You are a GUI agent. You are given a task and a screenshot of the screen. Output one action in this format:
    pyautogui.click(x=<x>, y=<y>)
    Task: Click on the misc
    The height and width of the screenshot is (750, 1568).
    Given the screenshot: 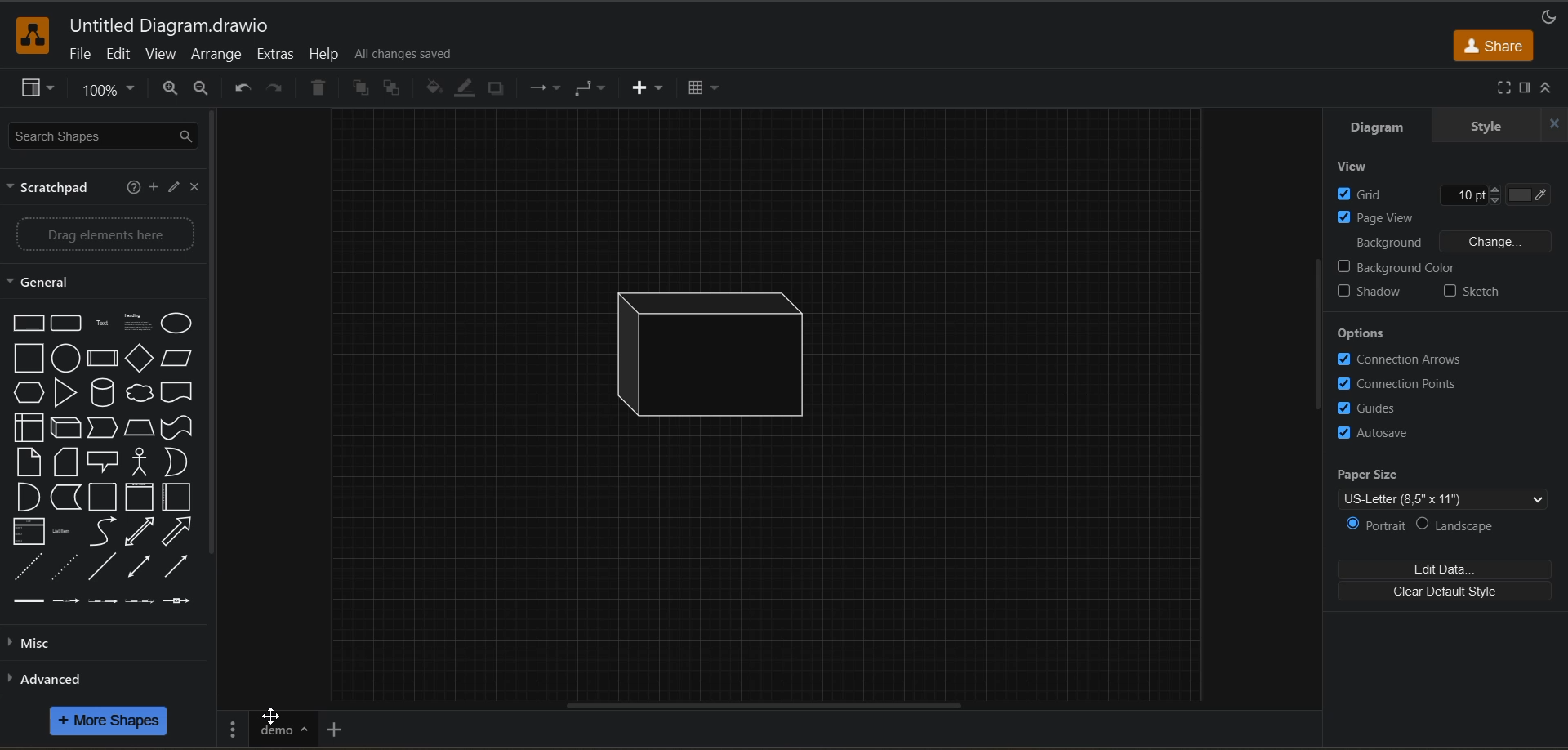 What is the action you would take?
    pyautogui.click(x=42, y=643)
    